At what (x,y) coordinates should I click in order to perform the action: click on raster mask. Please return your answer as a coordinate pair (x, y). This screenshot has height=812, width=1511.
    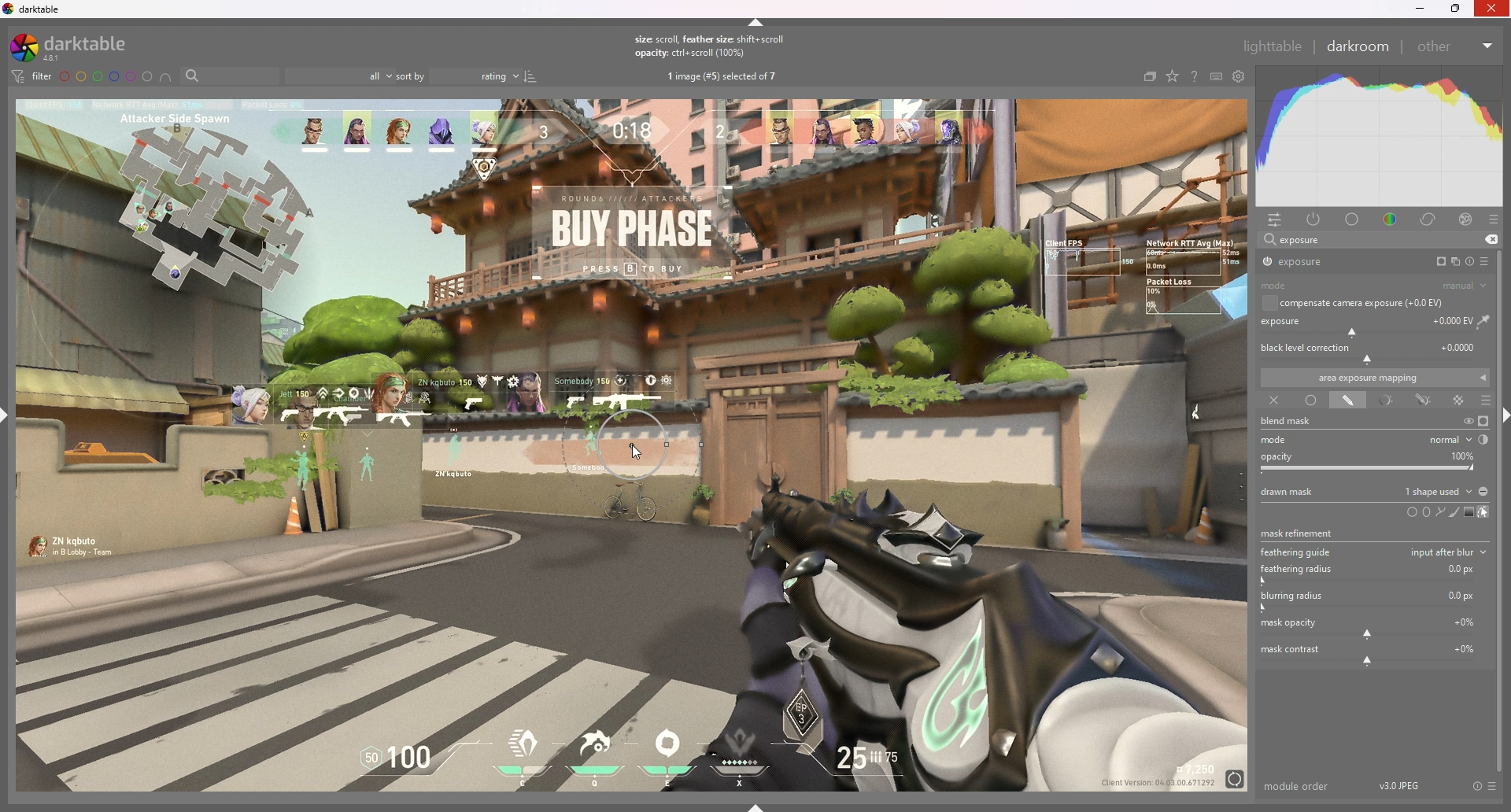
    Looking at the image, I should click on (1459, 400).